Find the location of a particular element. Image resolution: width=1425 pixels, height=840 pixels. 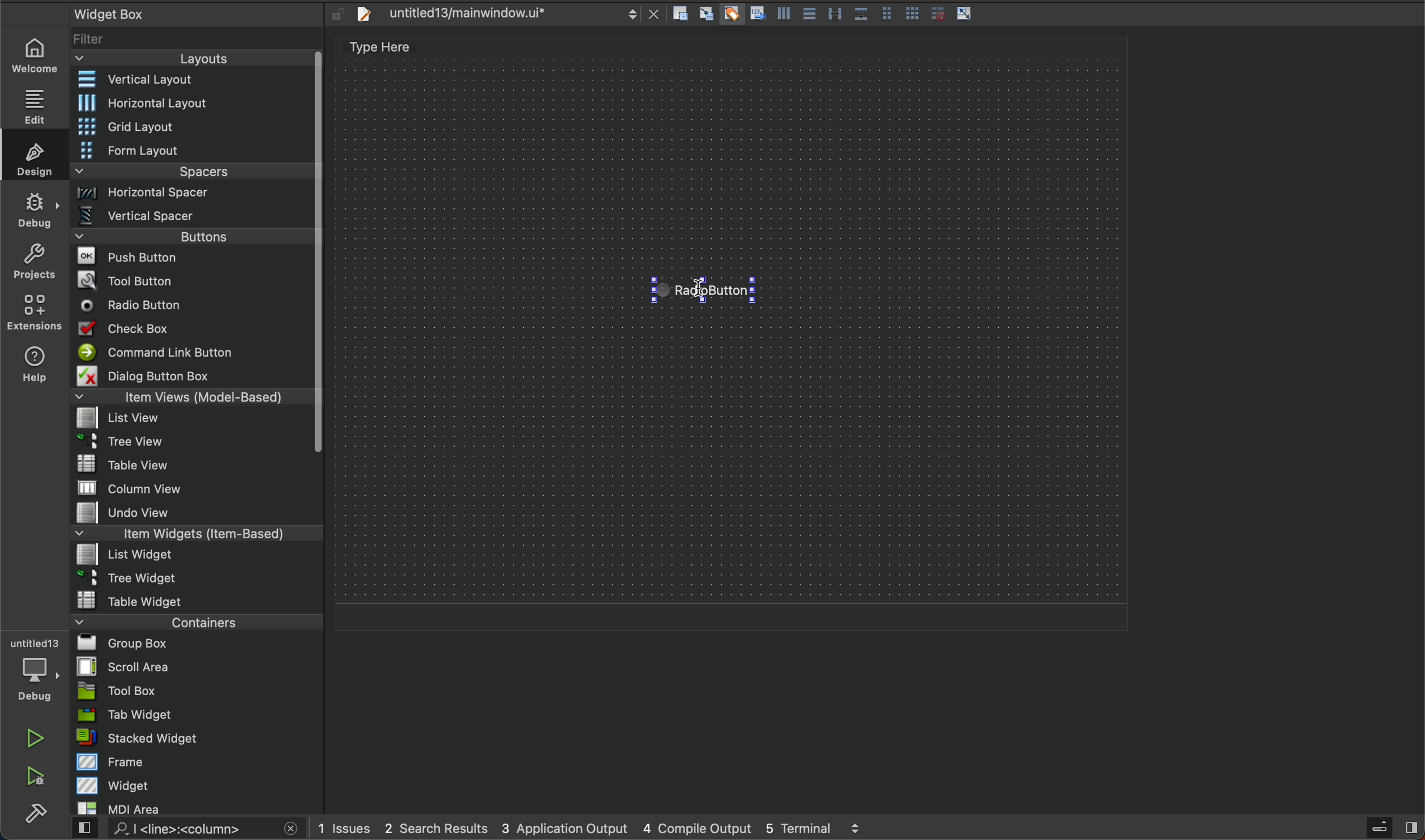

 is located at coordinates (808, 15).